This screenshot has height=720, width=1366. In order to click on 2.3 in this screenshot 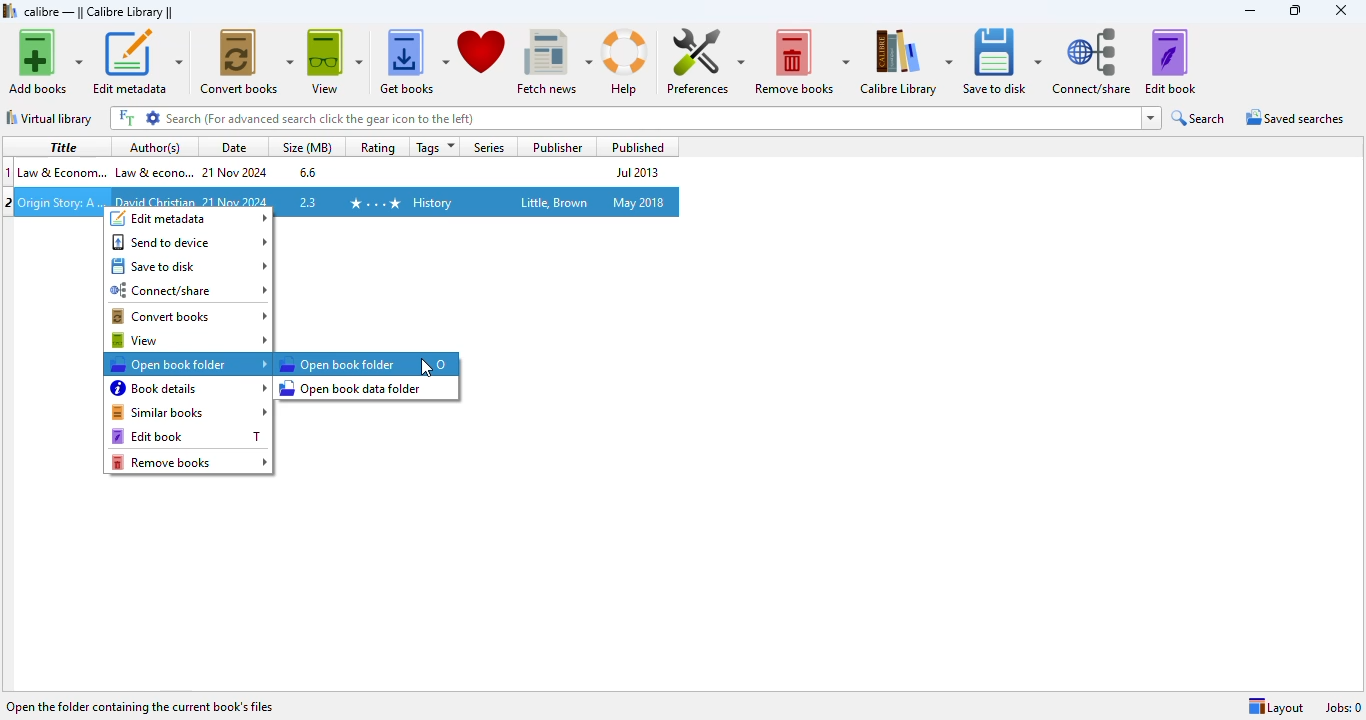, I will do `click(307, 202)`.